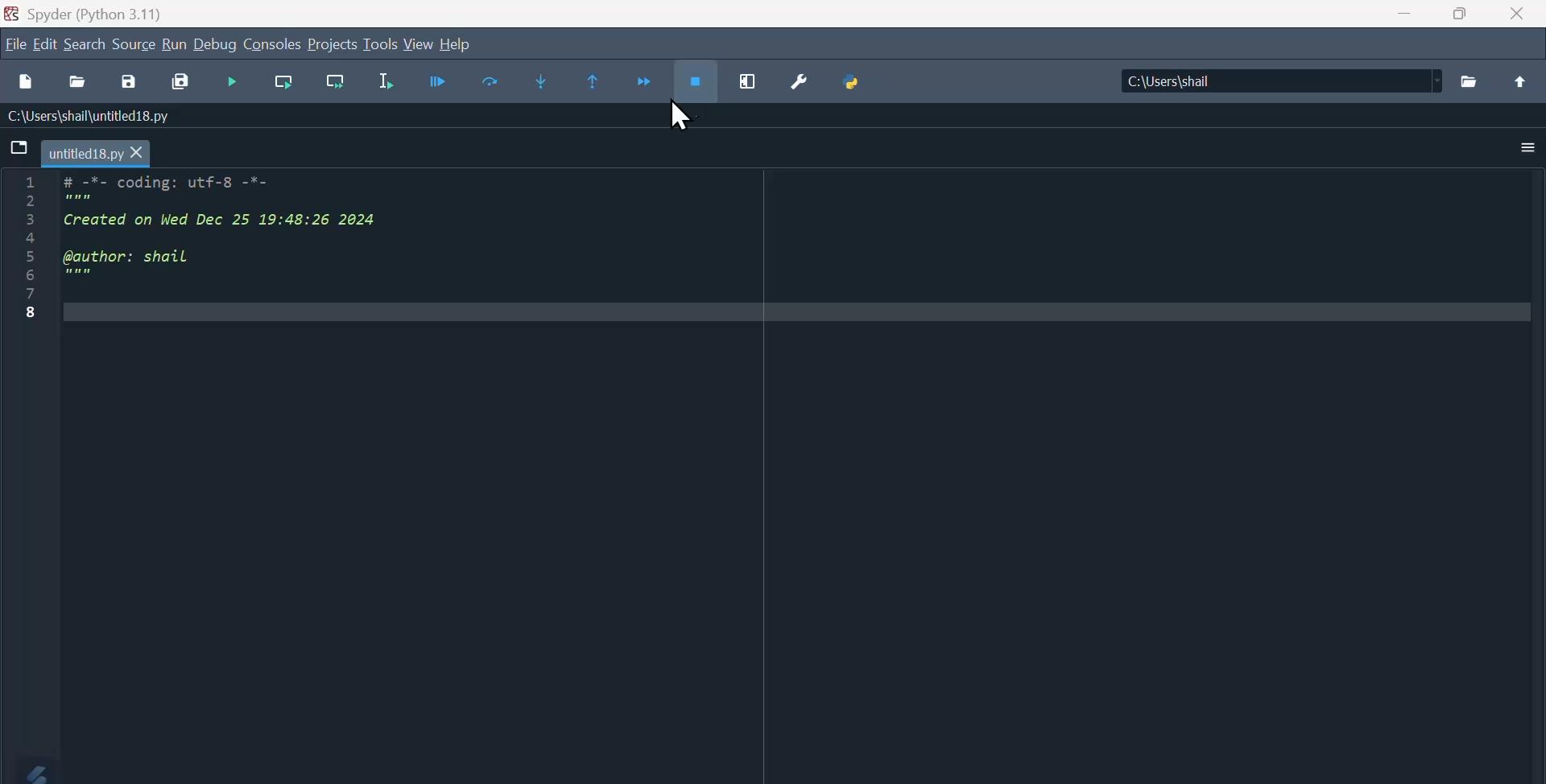  I want to click on minimise, so click(1404, 16).